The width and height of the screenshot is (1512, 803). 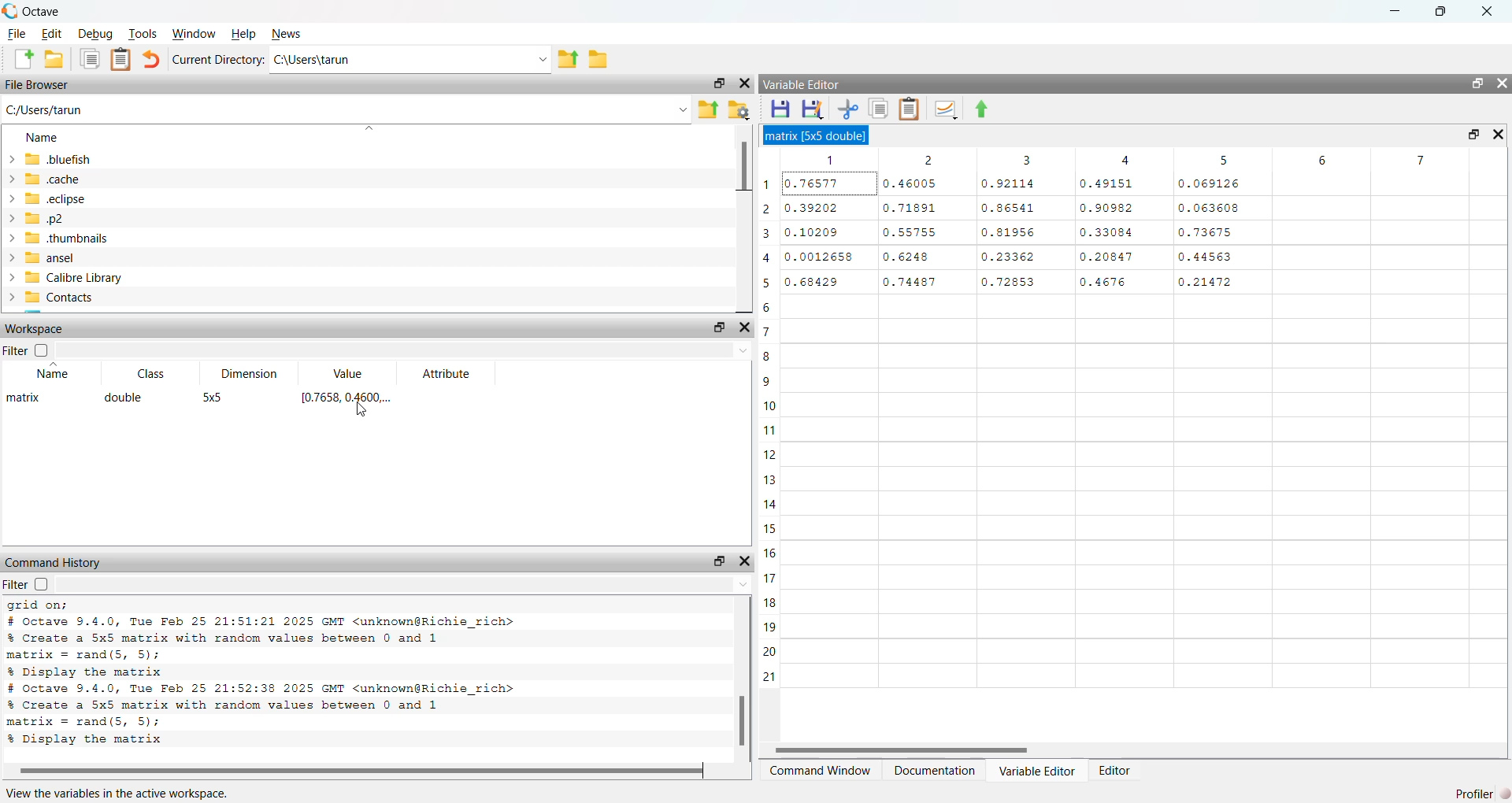 I want to click on Help, so click(x=243, y=32).